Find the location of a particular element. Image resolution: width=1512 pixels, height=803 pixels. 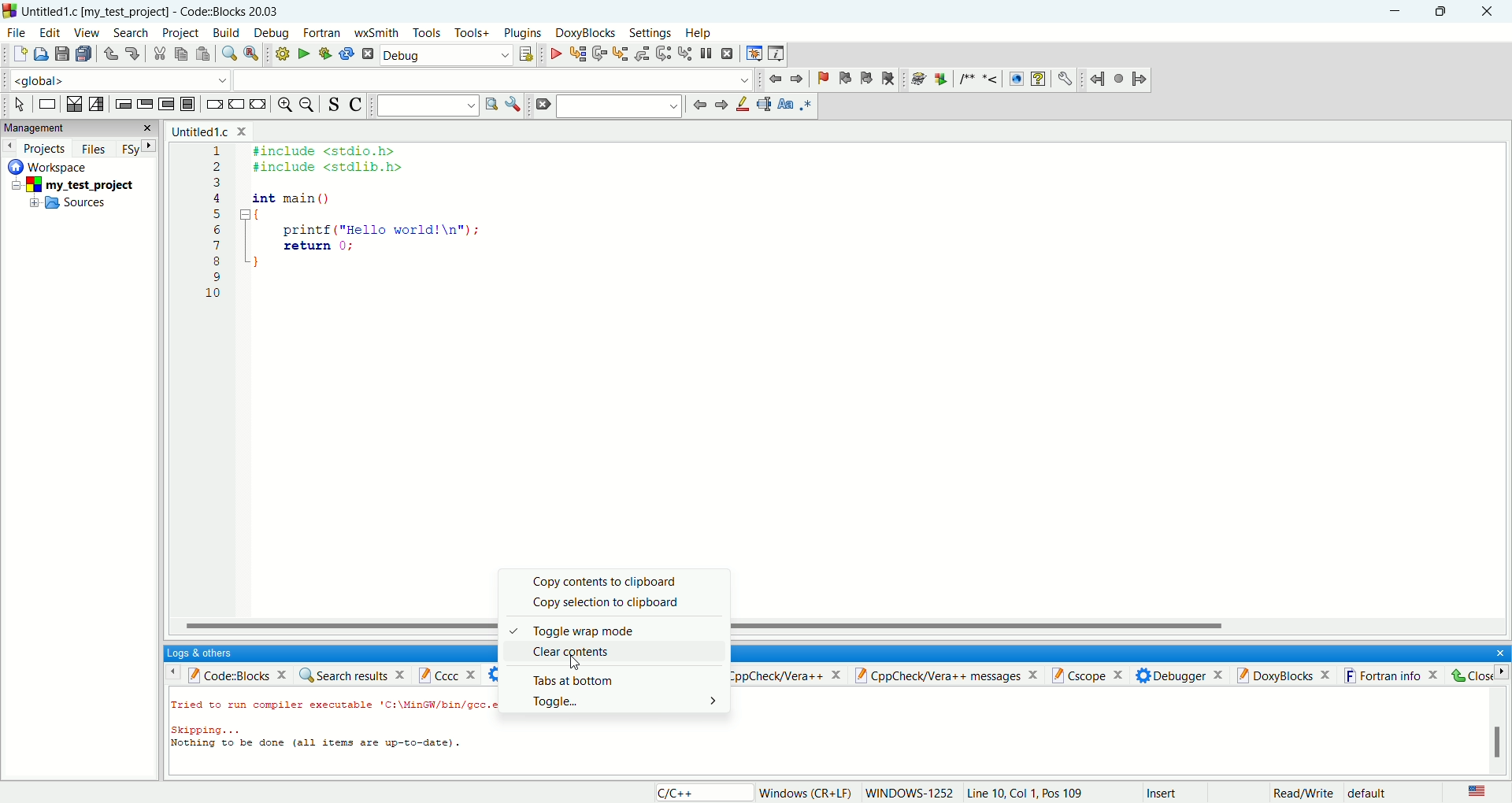

Projects is located at coordinates (35, 146).